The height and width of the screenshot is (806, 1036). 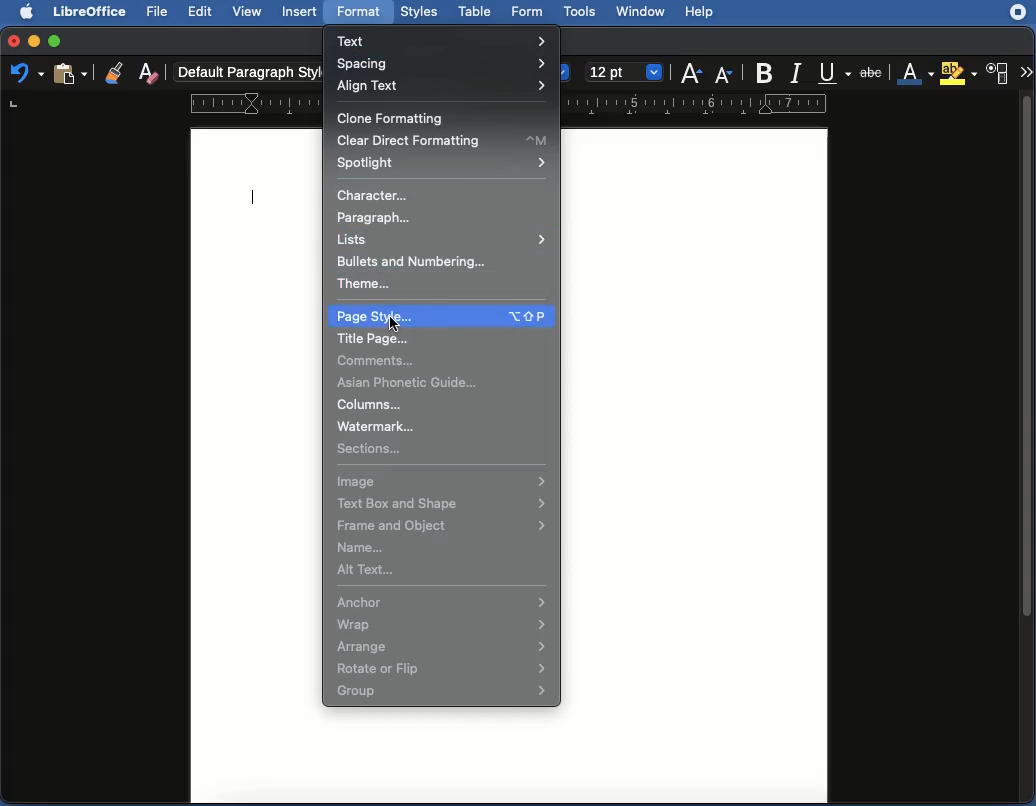 What do you see at coordinates (360, 13) in the screenshot?
I see `format` at bounding box center [360, 13].